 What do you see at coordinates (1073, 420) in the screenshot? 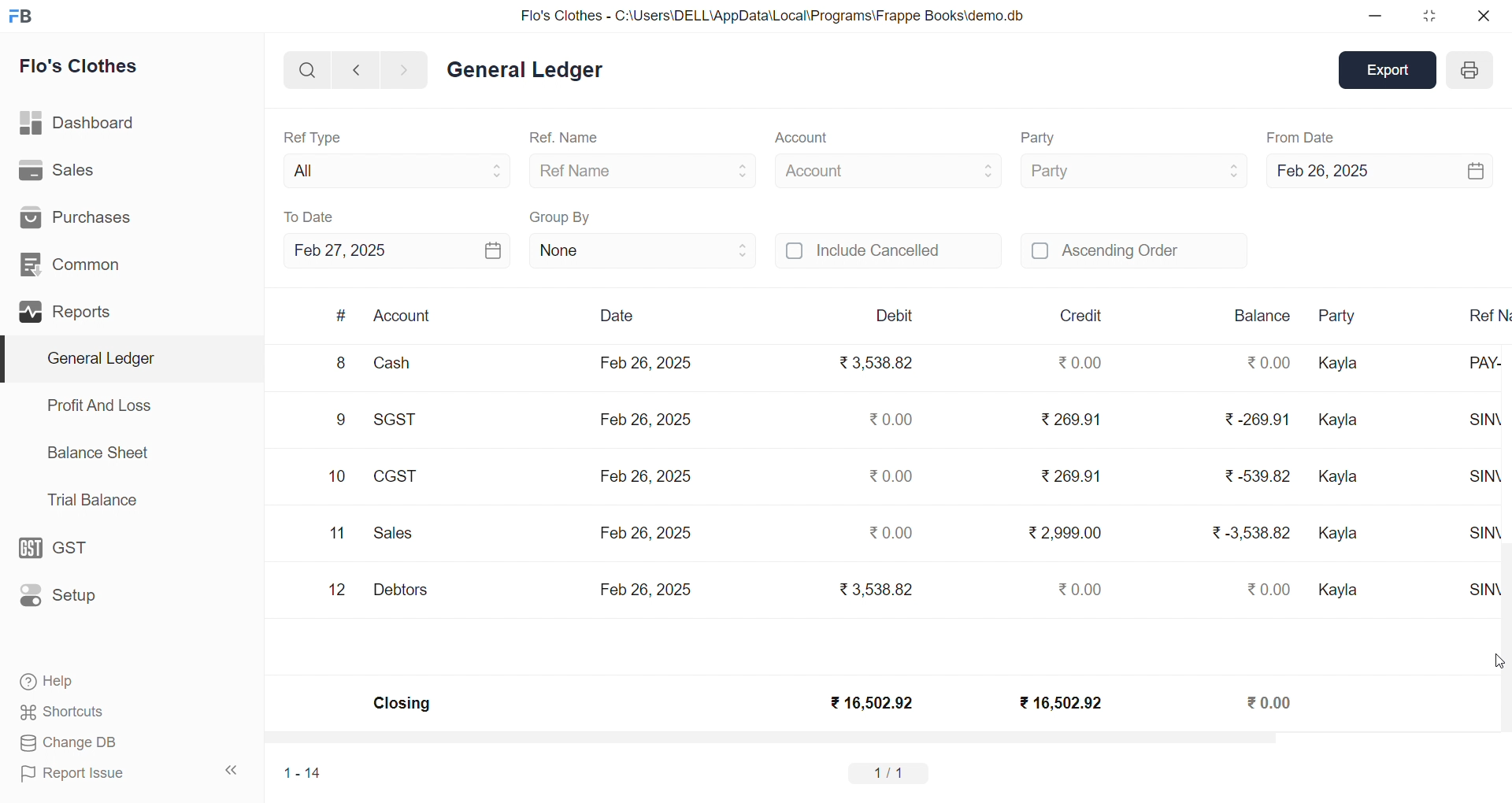
I see `₹269.91` at bounding box center [1073, 420].